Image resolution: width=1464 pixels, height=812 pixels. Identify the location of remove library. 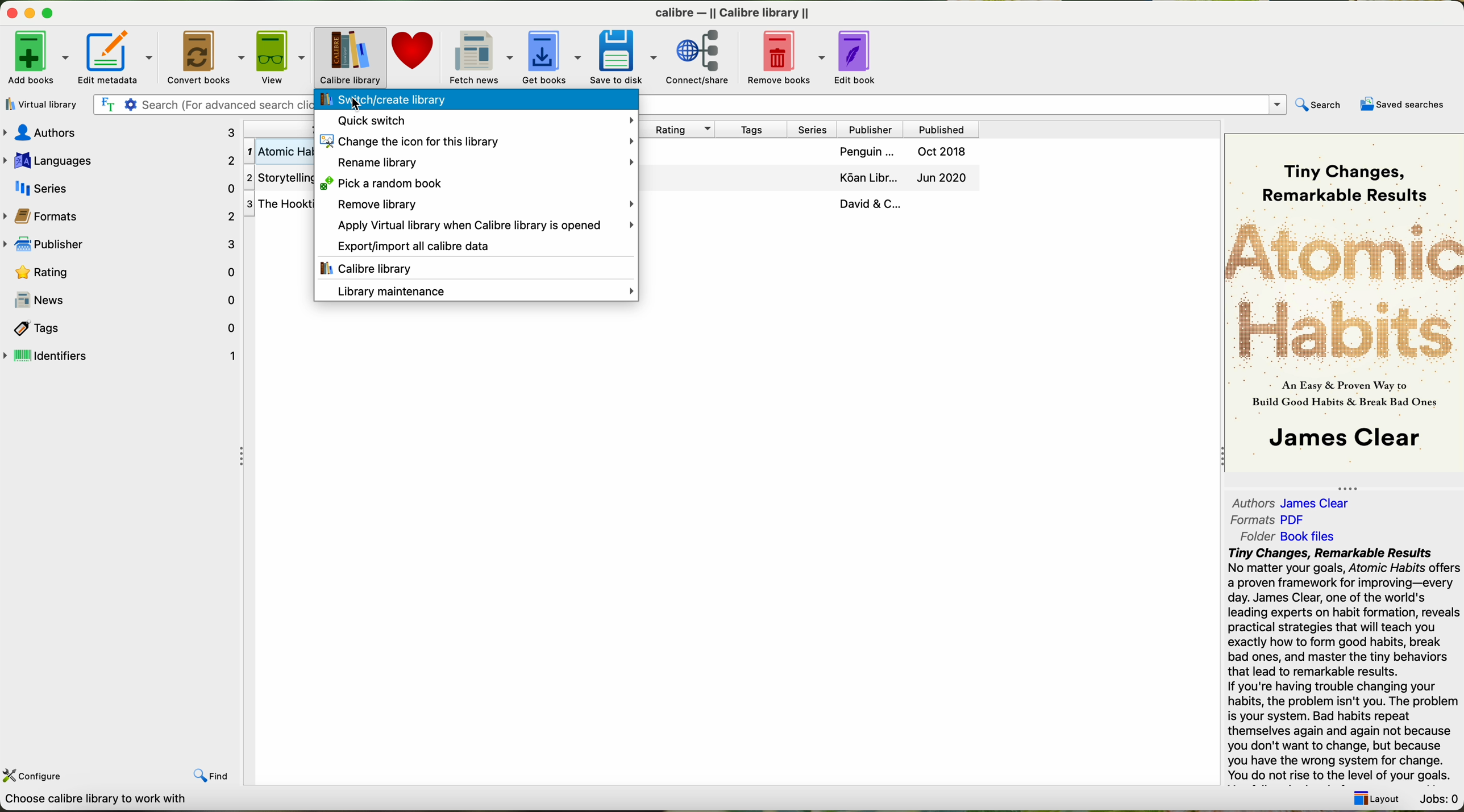
(486, 203).